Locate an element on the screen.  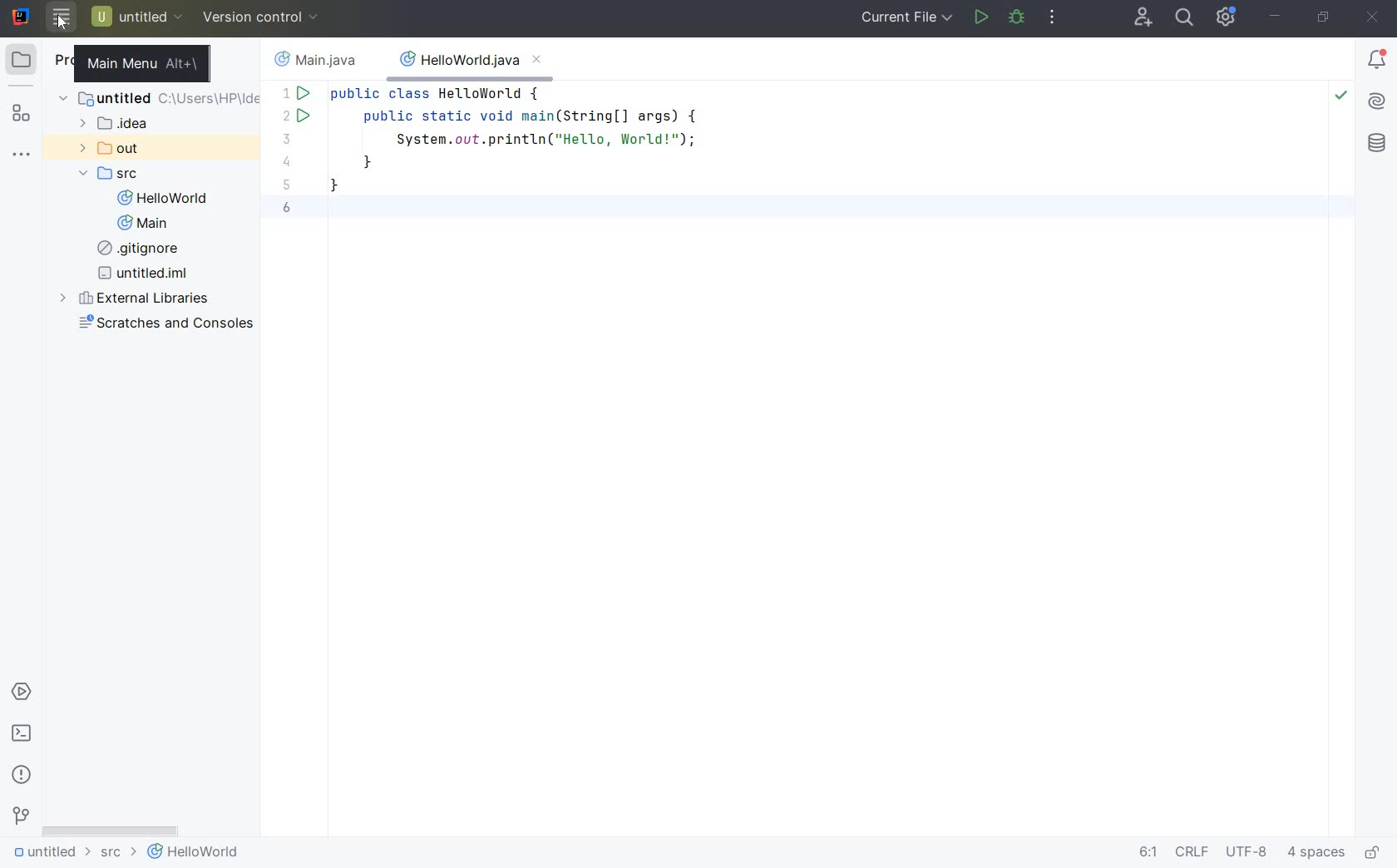
external libraries is located at coordinates (140, 298).